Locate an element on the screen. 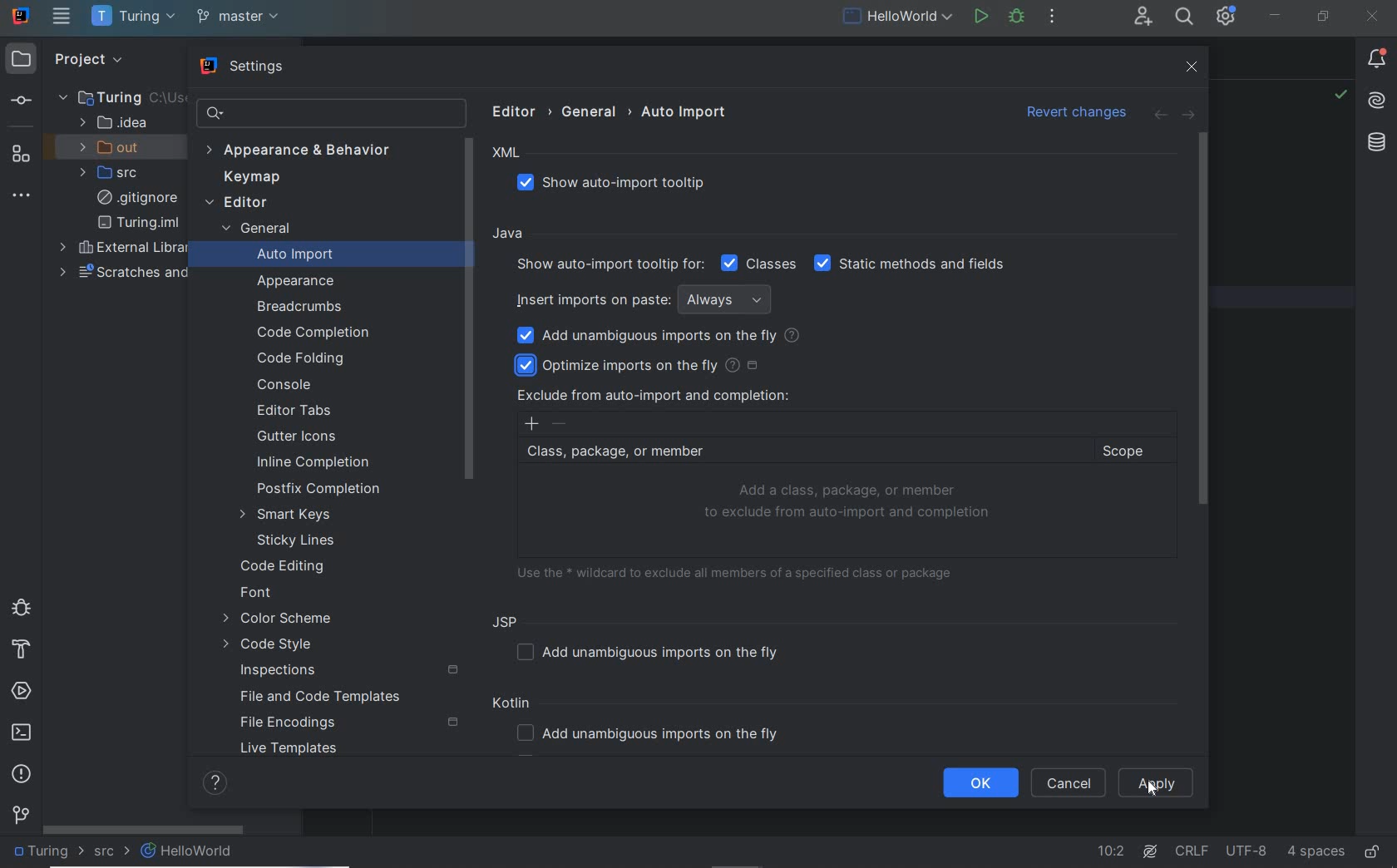 This screenshot has width=1397, height=868. HELLOWORLD(FILE NAME) is located at coordinates (192, 851).